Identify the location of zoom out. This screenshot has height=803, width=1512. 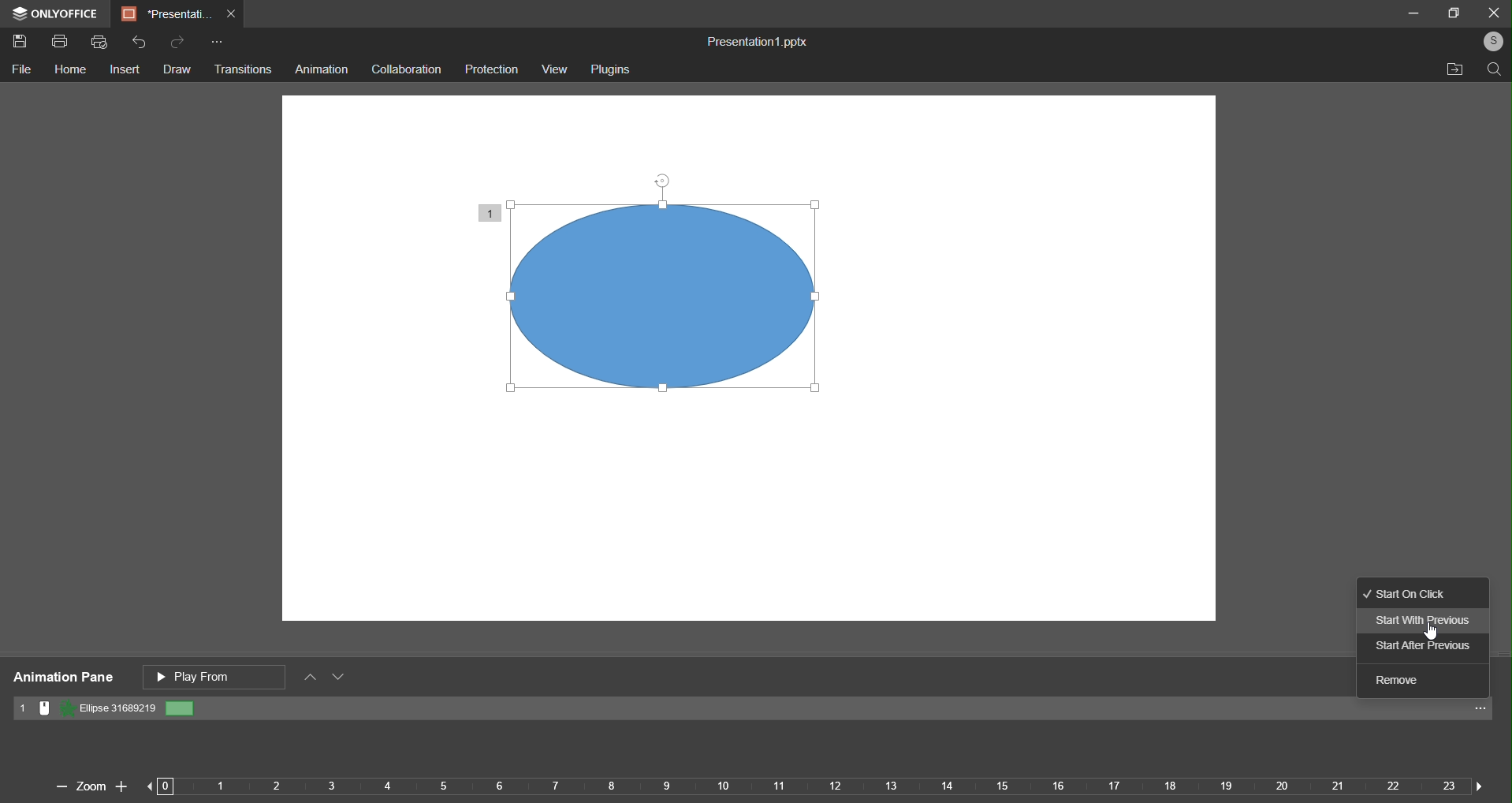
(57, 788).